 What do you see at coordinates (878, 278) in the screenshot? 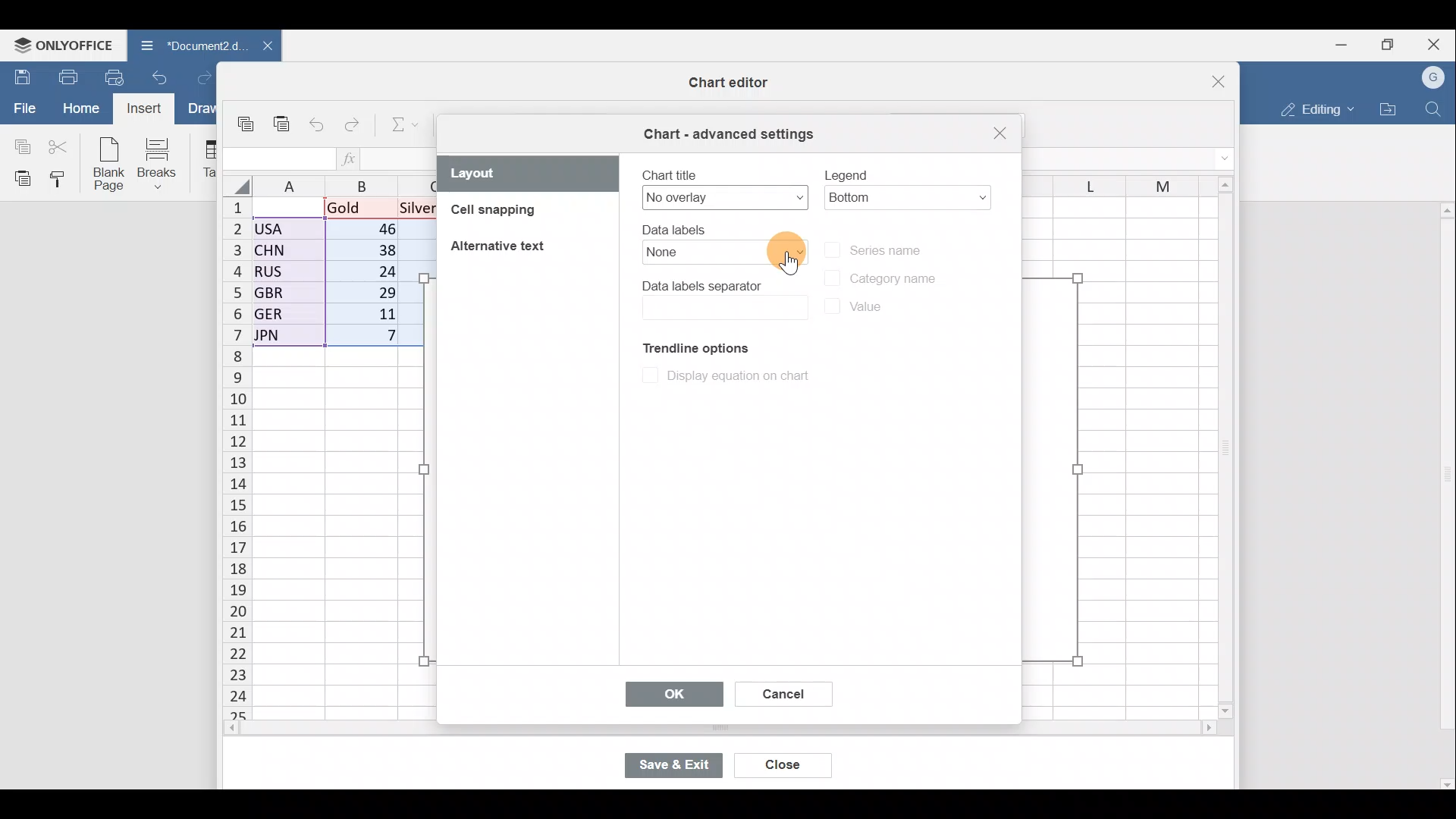
I see `Category name` at bounding box center [878, 278].